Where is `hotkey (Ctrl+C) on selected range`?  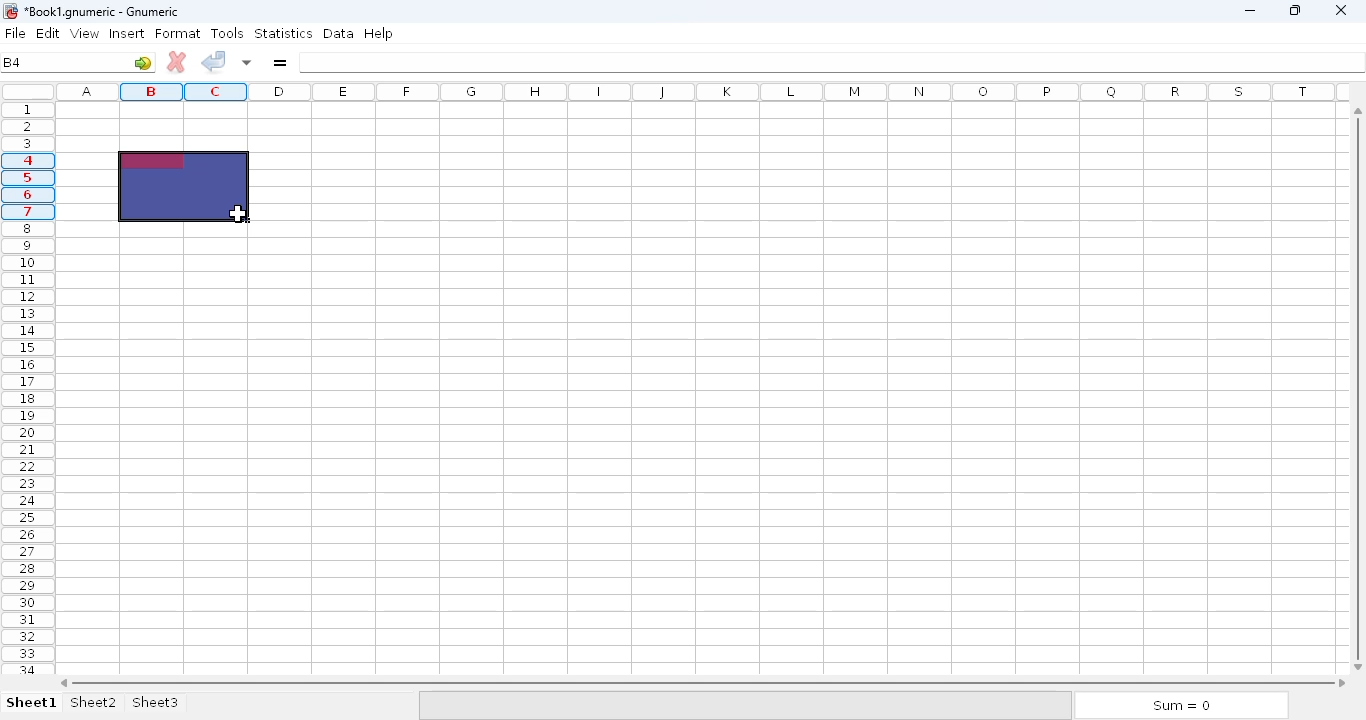
hotkey (Ctrl+C) on selected range is located at coordinates (183, 187).